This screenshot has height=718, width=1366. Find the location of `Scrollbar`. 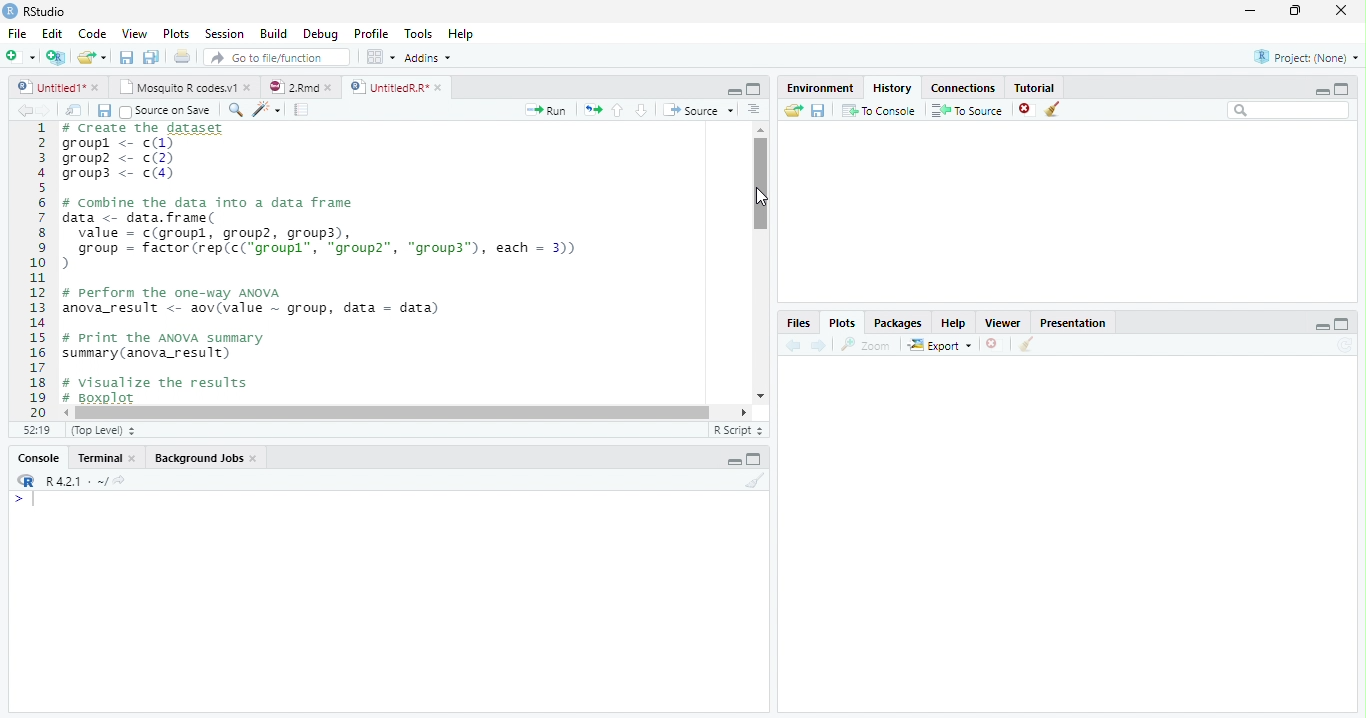

Scrollbar is located at coordinates (408, 411).